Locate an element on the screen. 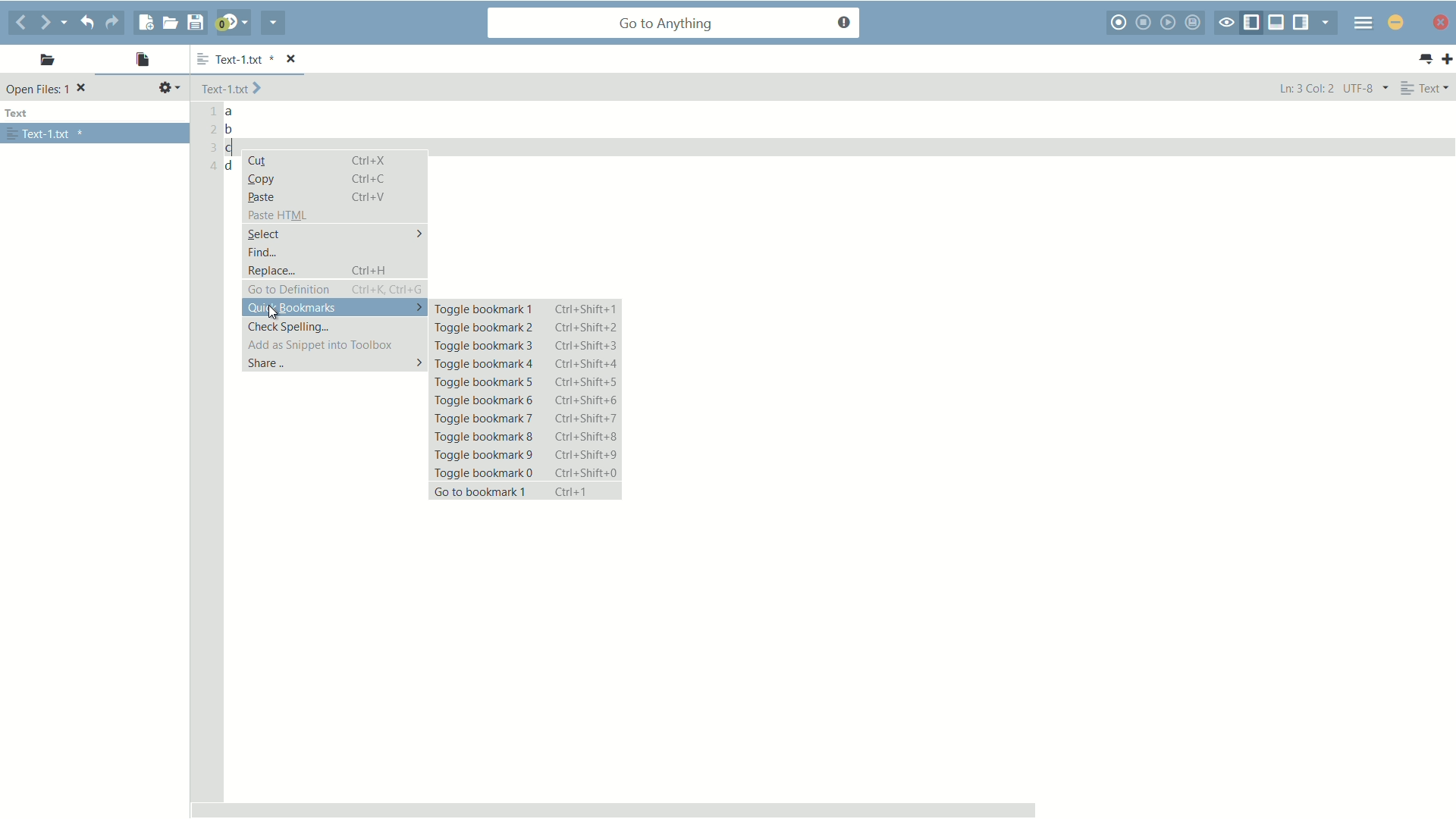  Text-1.txt * is located at coordinates (256, 58).